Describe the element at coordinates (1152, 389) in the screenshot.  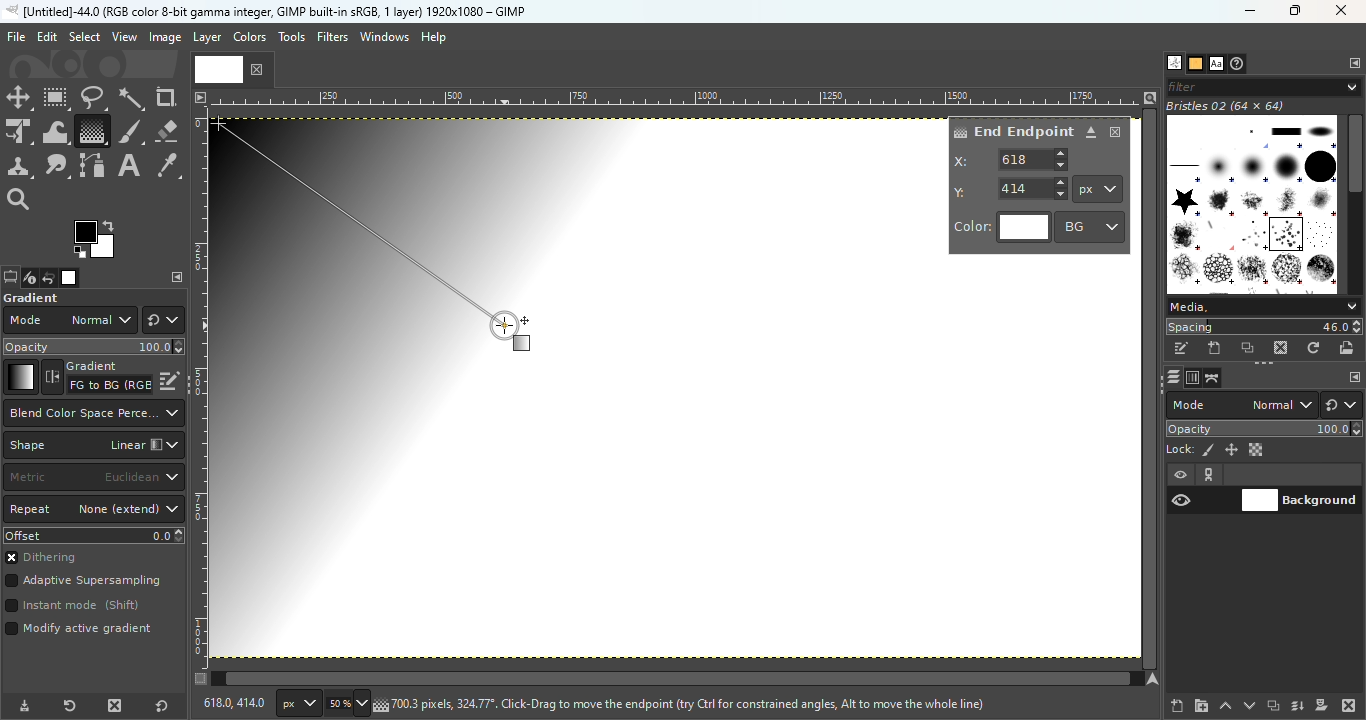
I see `Horizontal scroll bar` at that location.